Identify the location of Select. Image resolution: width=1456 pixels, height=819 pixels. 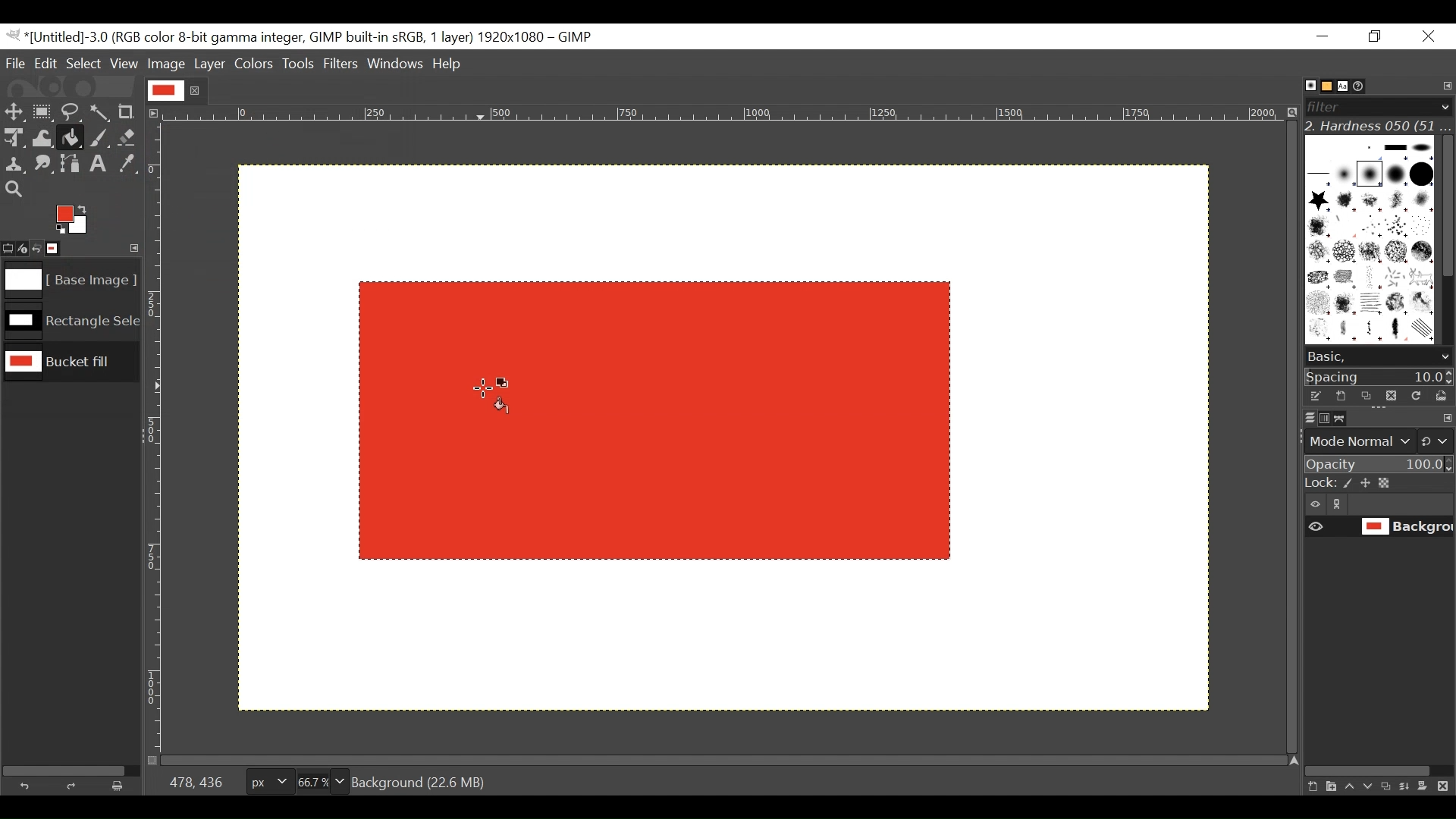
(84, 63).